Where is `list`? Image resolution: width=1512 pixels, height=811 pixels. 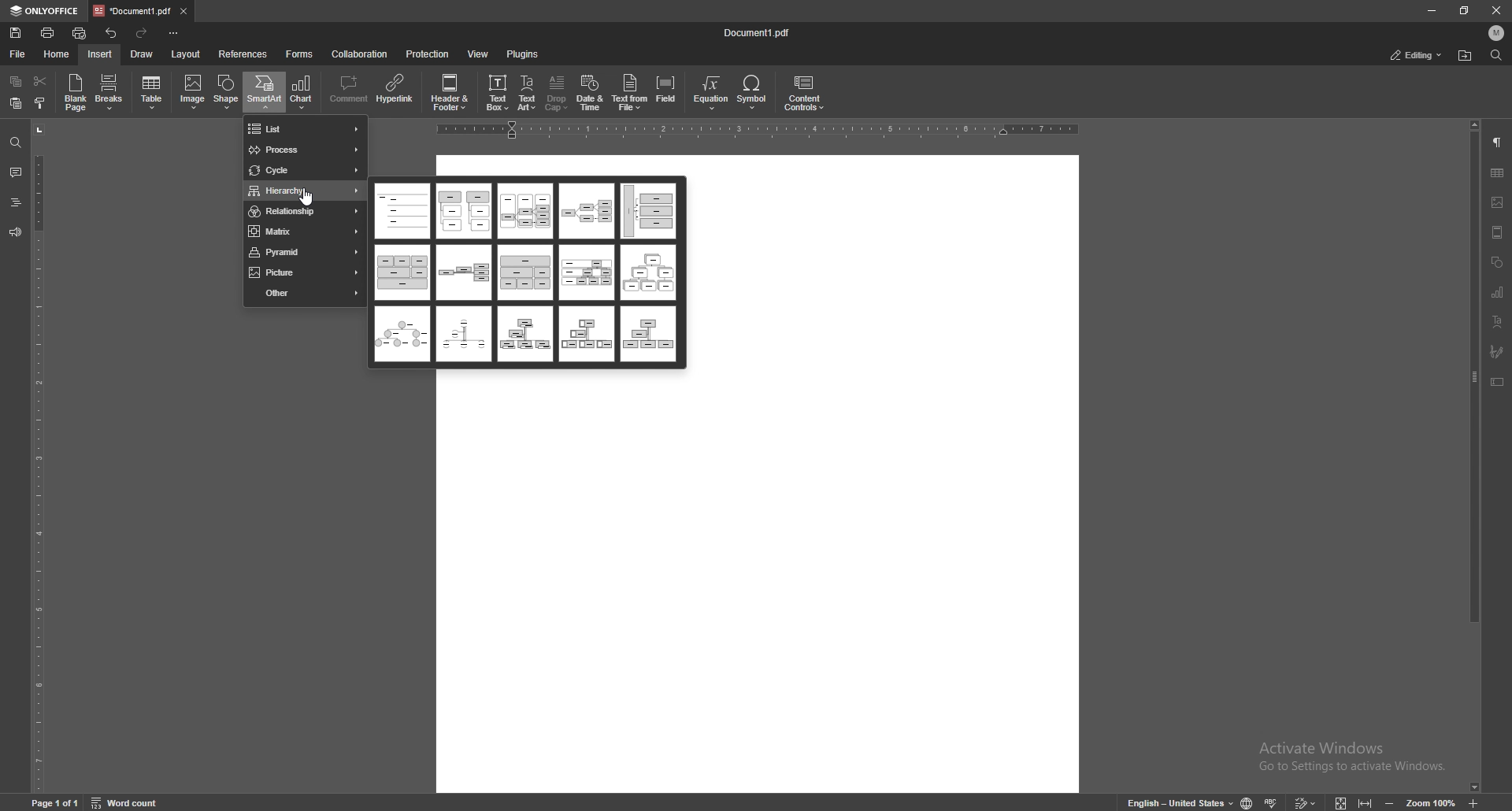 list is located at coordinates (304, 129).